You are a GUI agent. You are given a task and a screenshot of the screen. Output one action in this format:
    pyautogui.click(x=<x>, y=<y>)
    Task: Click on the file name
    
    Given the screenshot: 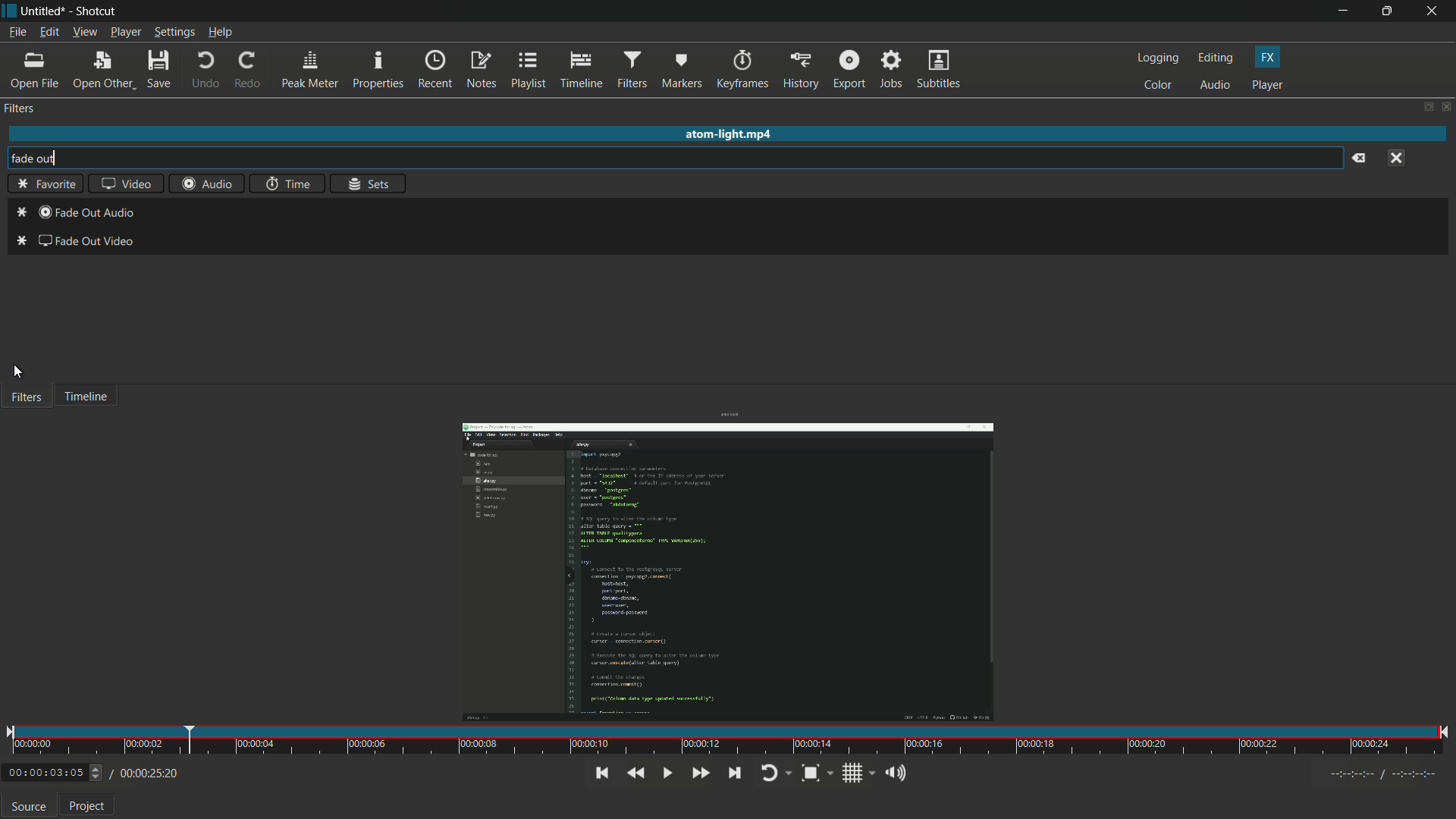 What is the action you would take?
    pyautogui.click(x=42, y=11)
    